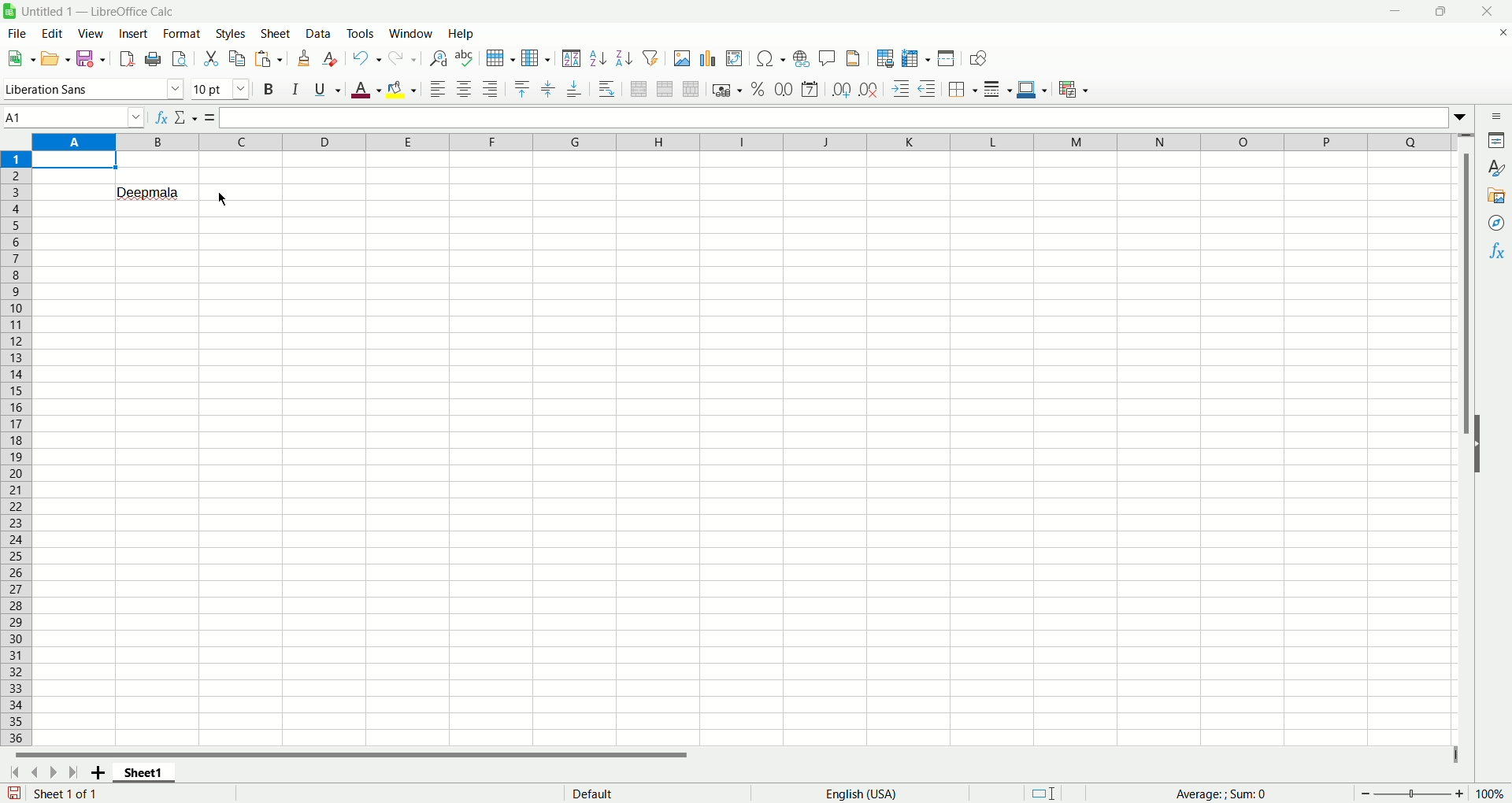 The height and width of the screenshot is (803, 1512). I want to click on hide, so click(1480, 455).